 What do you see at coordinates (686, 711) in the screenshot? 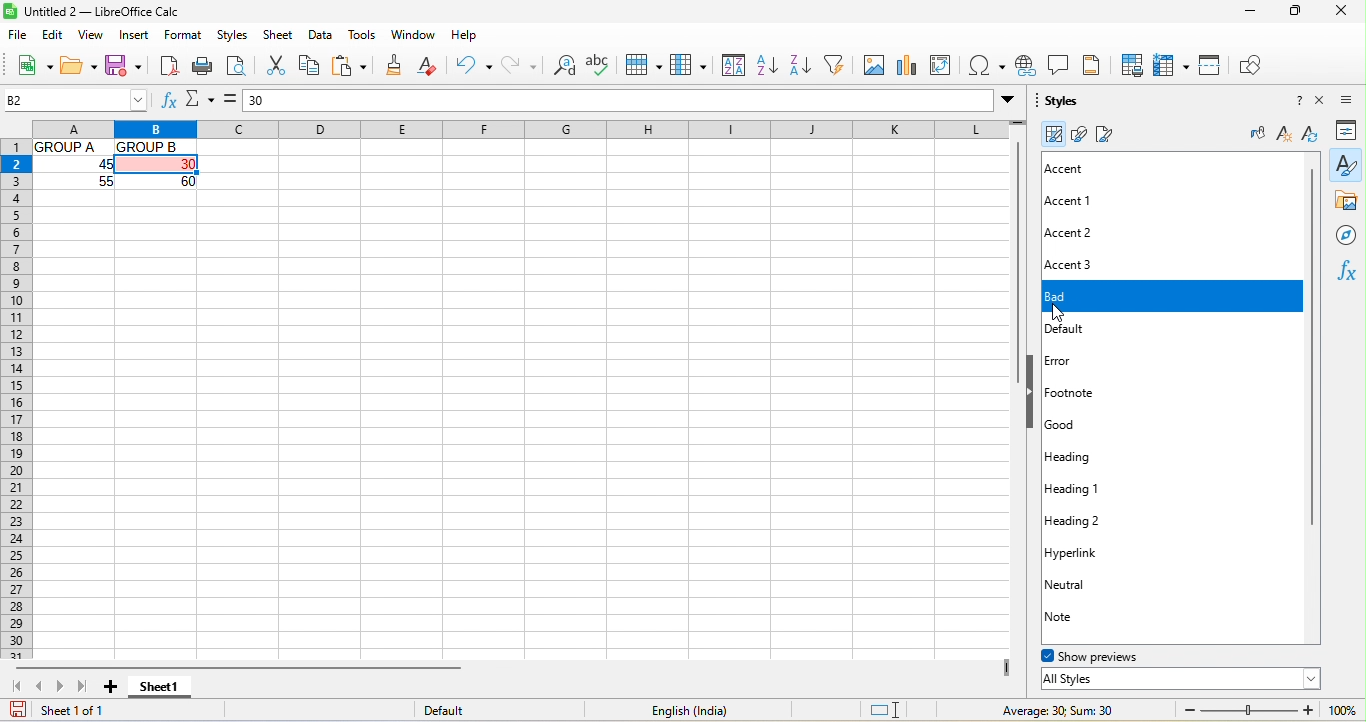
I see `English (India)` at bounding box center [686, 711].